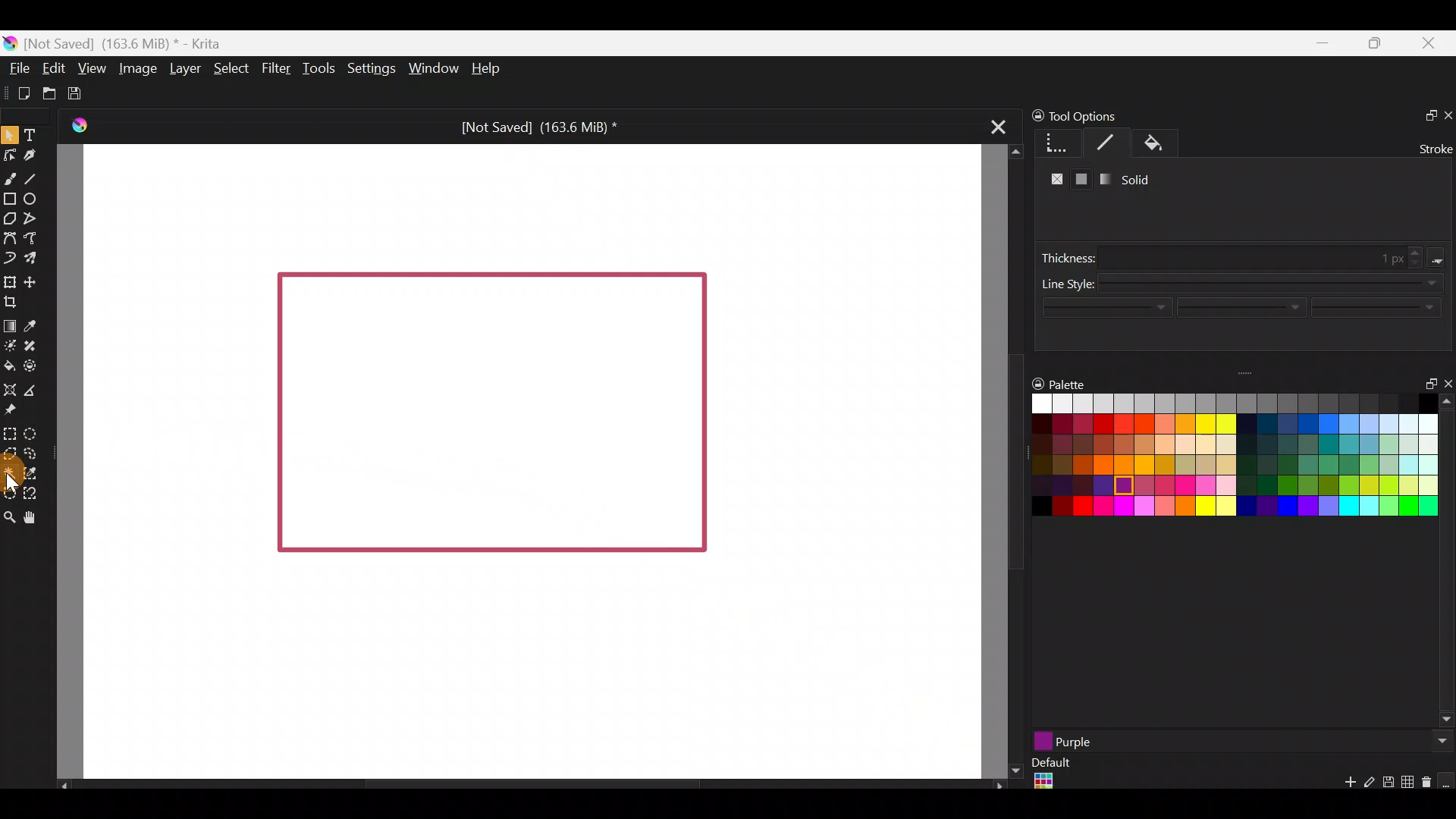 Image resolution: width=1456 pixels, height=819 pixels. What do you see at coordinates (1387, 783) in the screenshot?
I see `Save palette explicitly` at bounding box center [1387, 783].